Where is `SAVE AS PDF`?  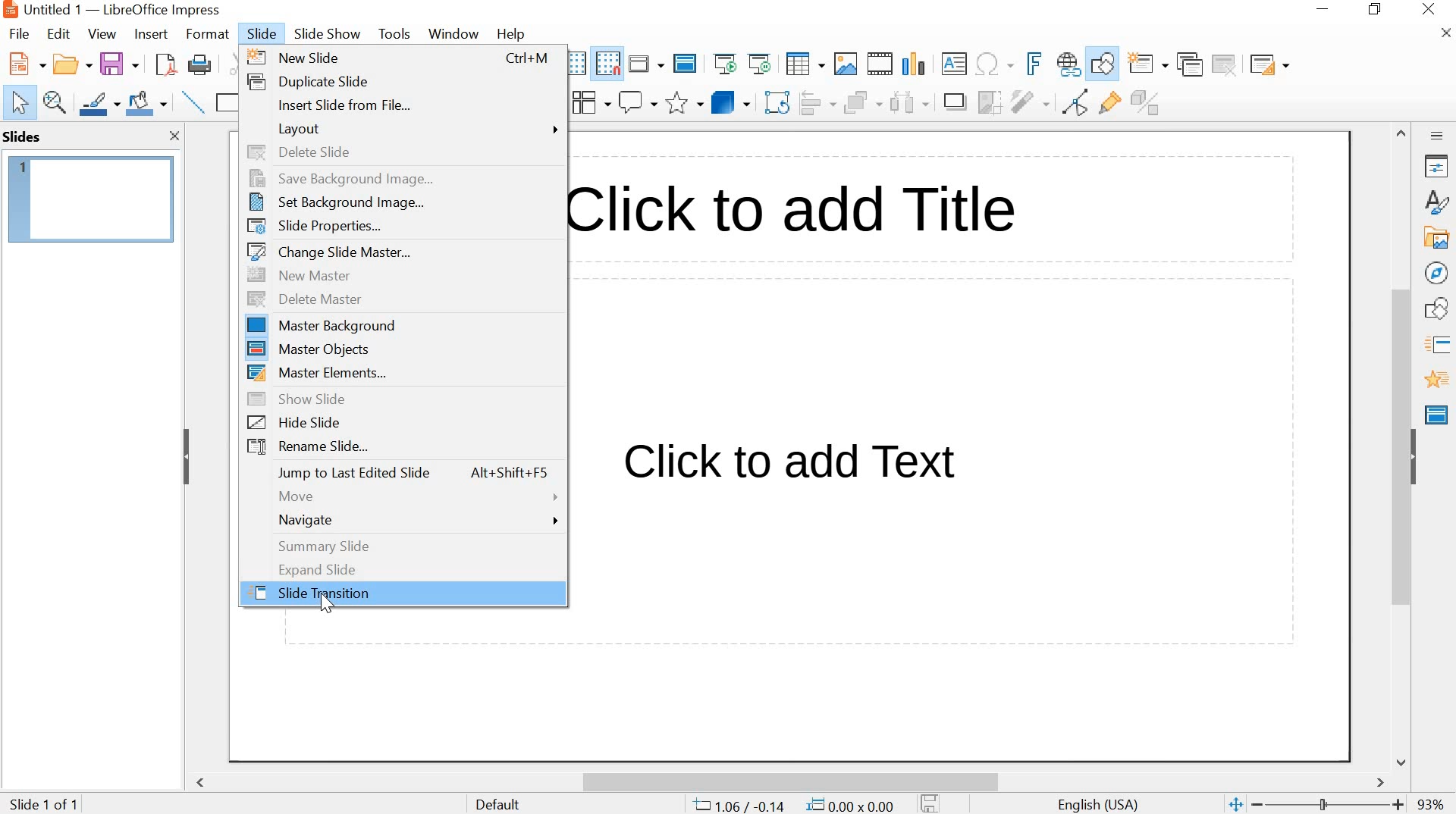 SAVE AS PDF is located at coordinates (165, 64).